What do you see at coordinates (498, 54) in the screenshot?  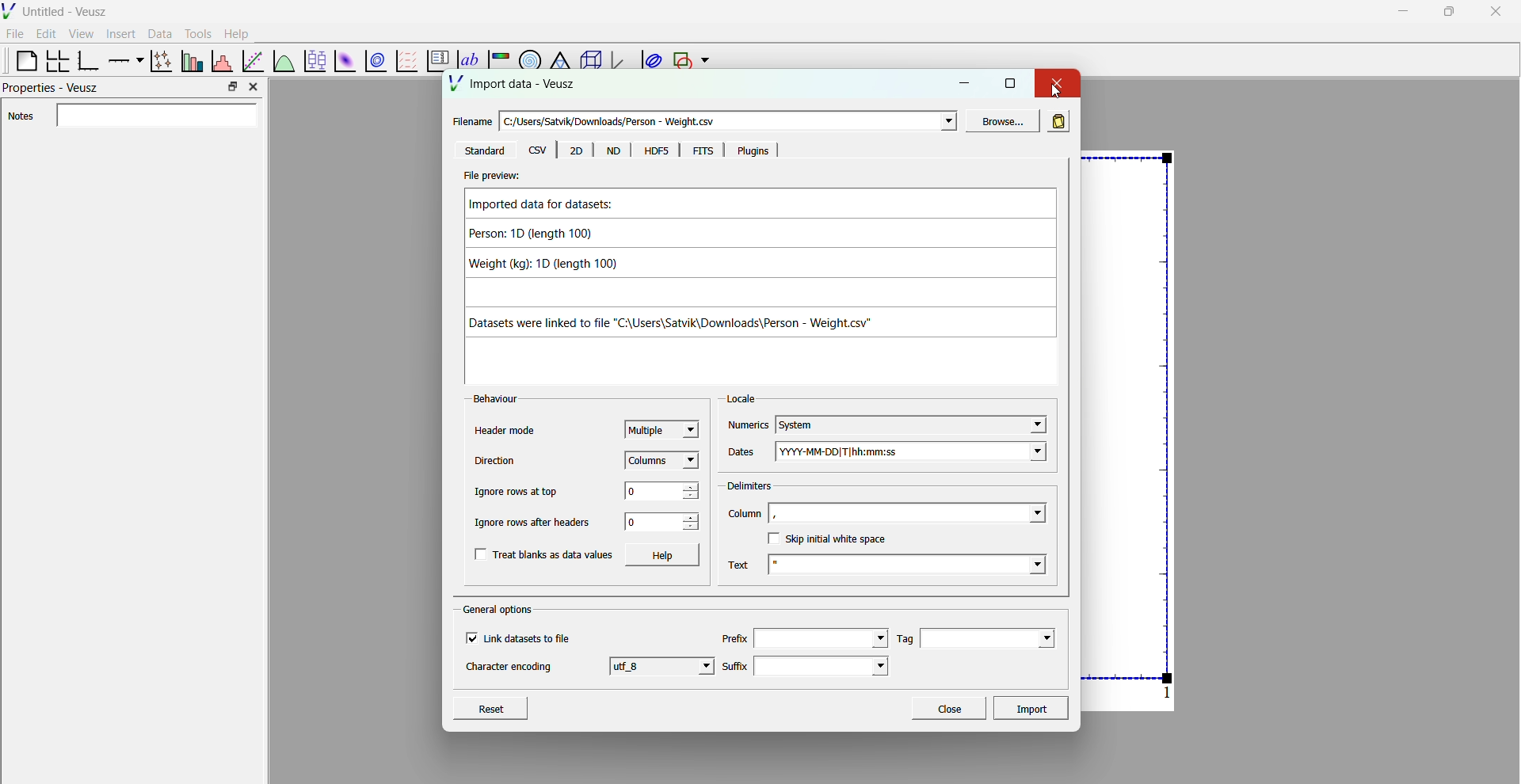 I see `image color graph` at bounding box center [498, 54].